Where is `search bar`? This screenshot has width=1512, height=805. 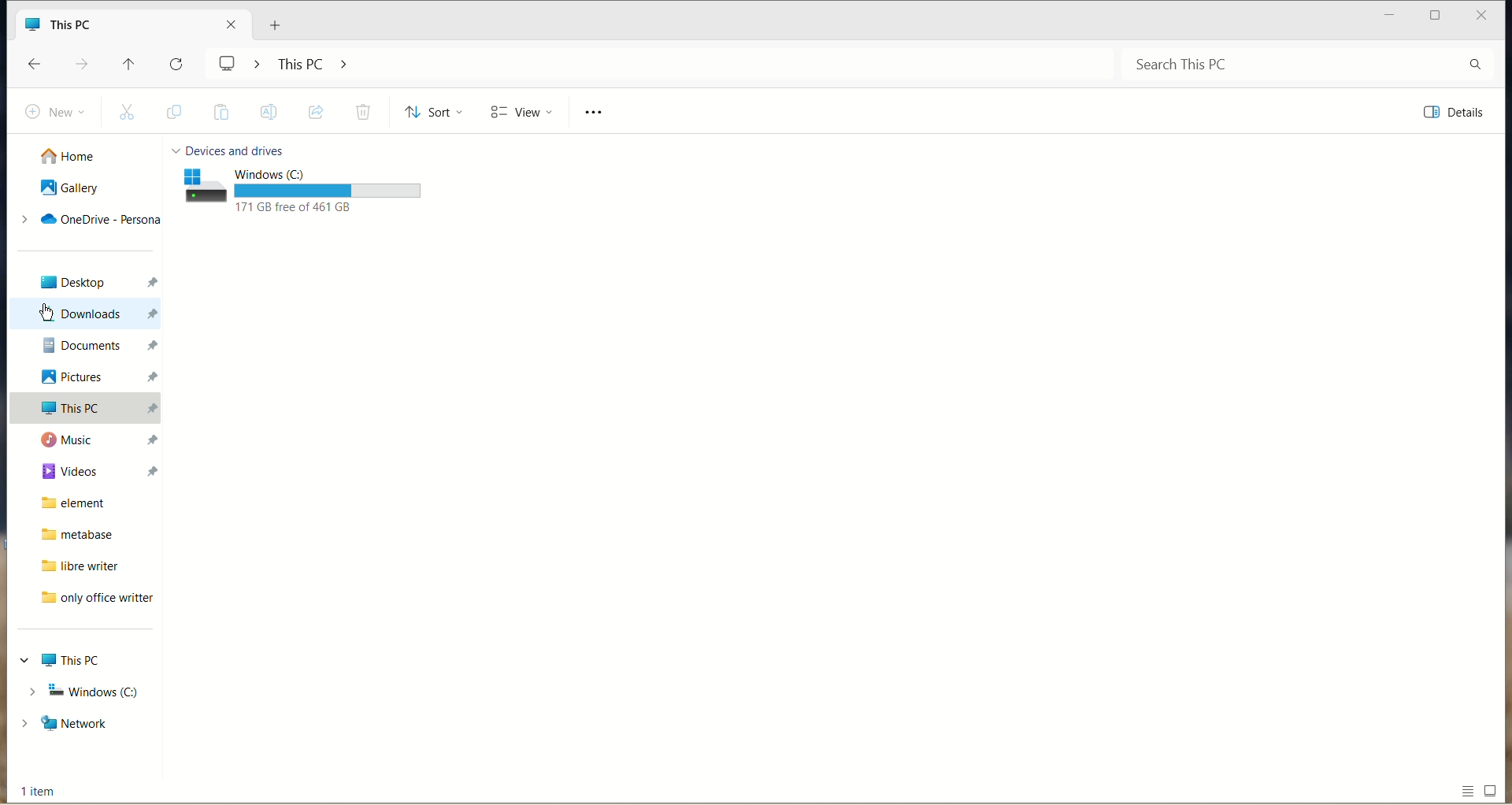 search bar is located at coordinates (1306, 67).